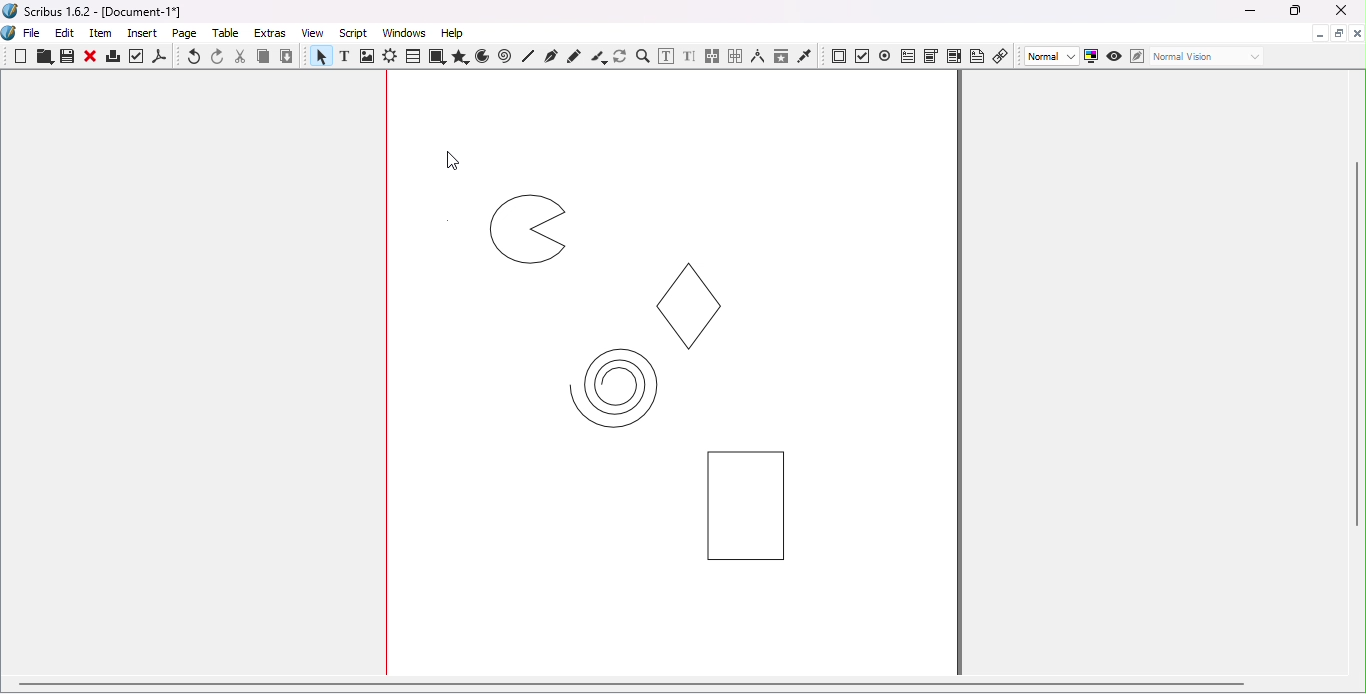 Image resolution: width=1366 pixels, height=694 pixels. I want to click on Undo, so click(195, 58).